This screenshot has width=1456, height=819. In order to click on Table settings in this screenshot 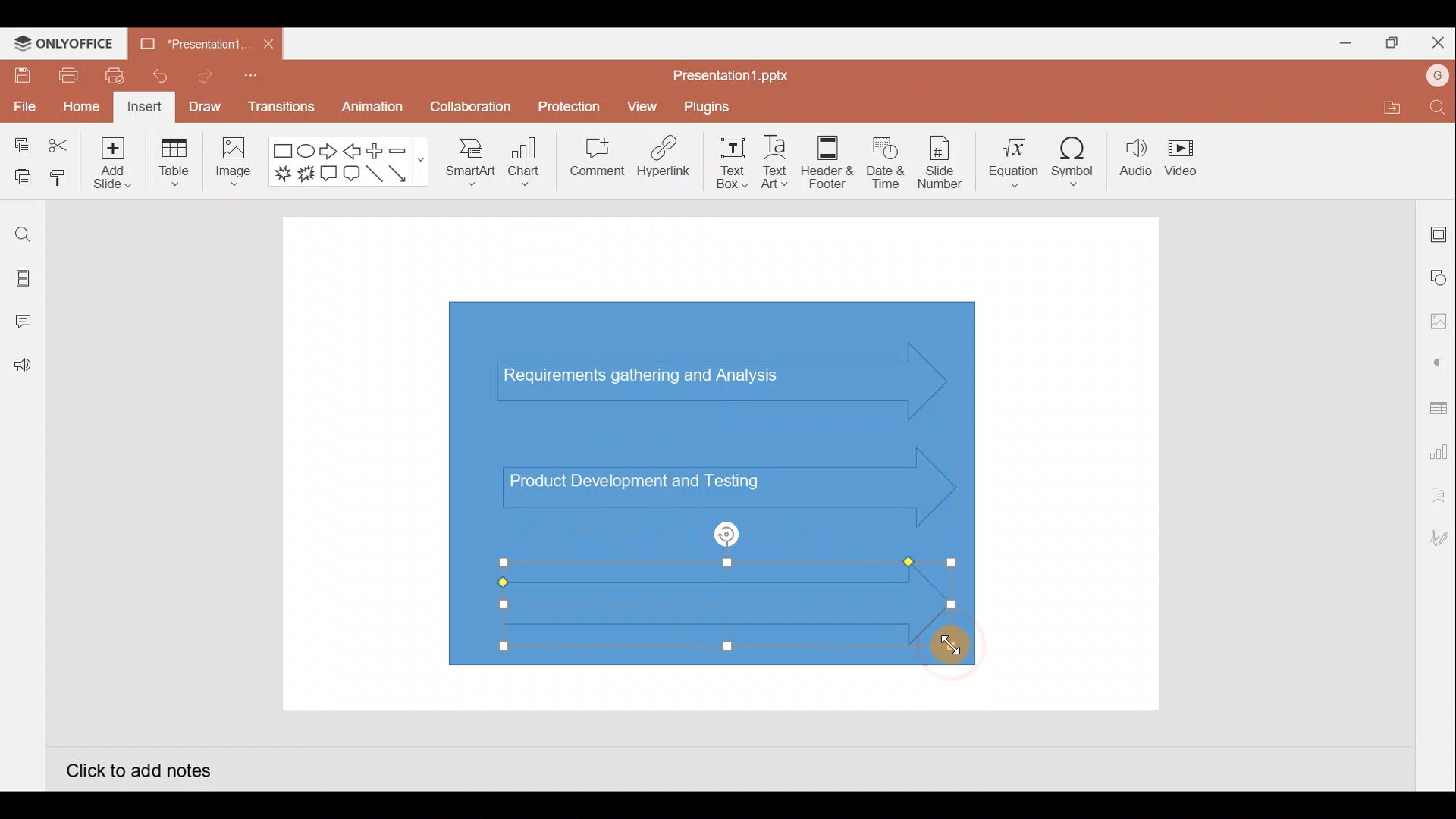, I will do `click(1435, 406)`.